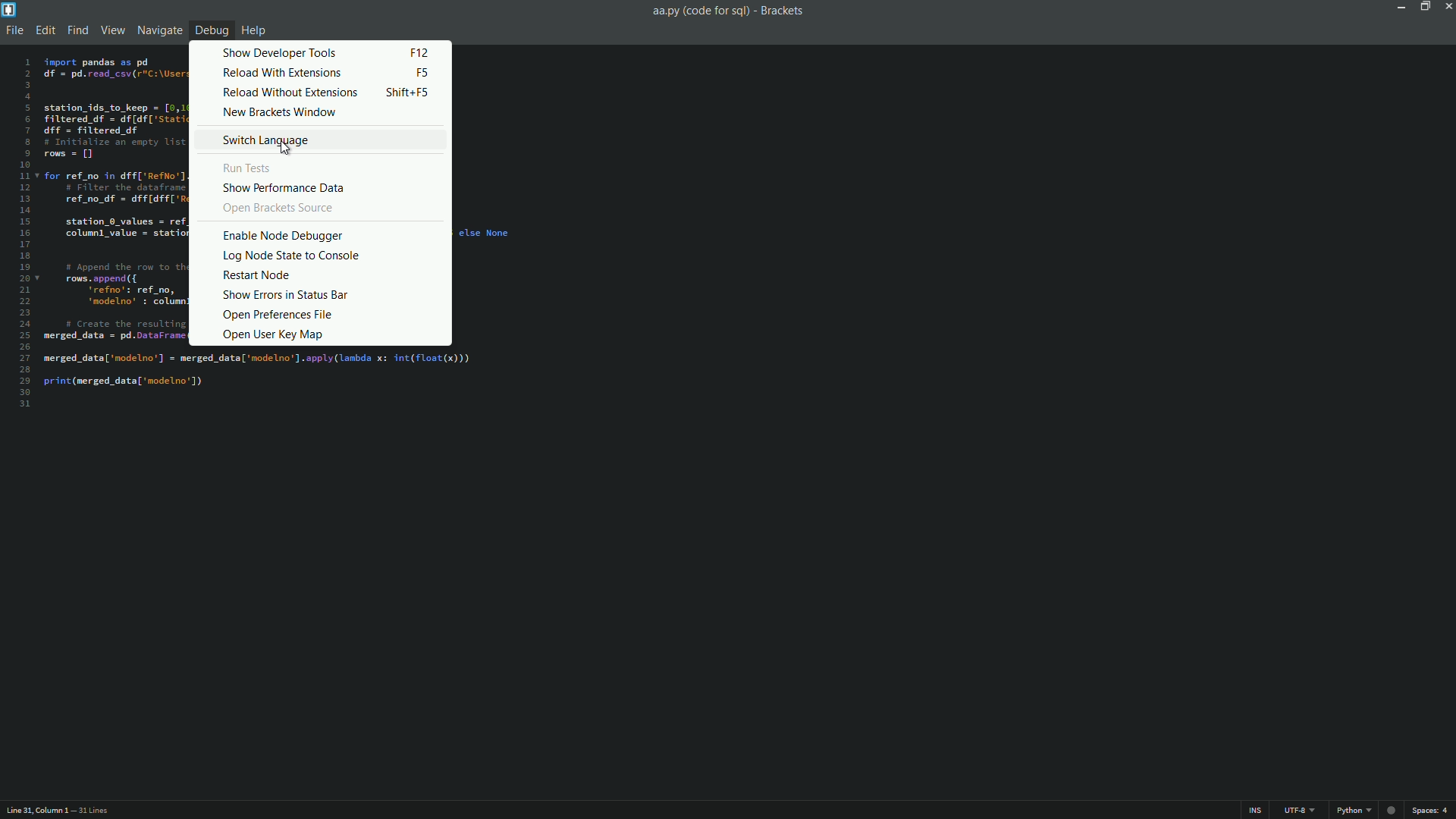 This screenshot has height=819, width=1456. What do you see at coordinates (36, 811) in the screenshot?
I see `cursor position` at bounding box center [36, 811].